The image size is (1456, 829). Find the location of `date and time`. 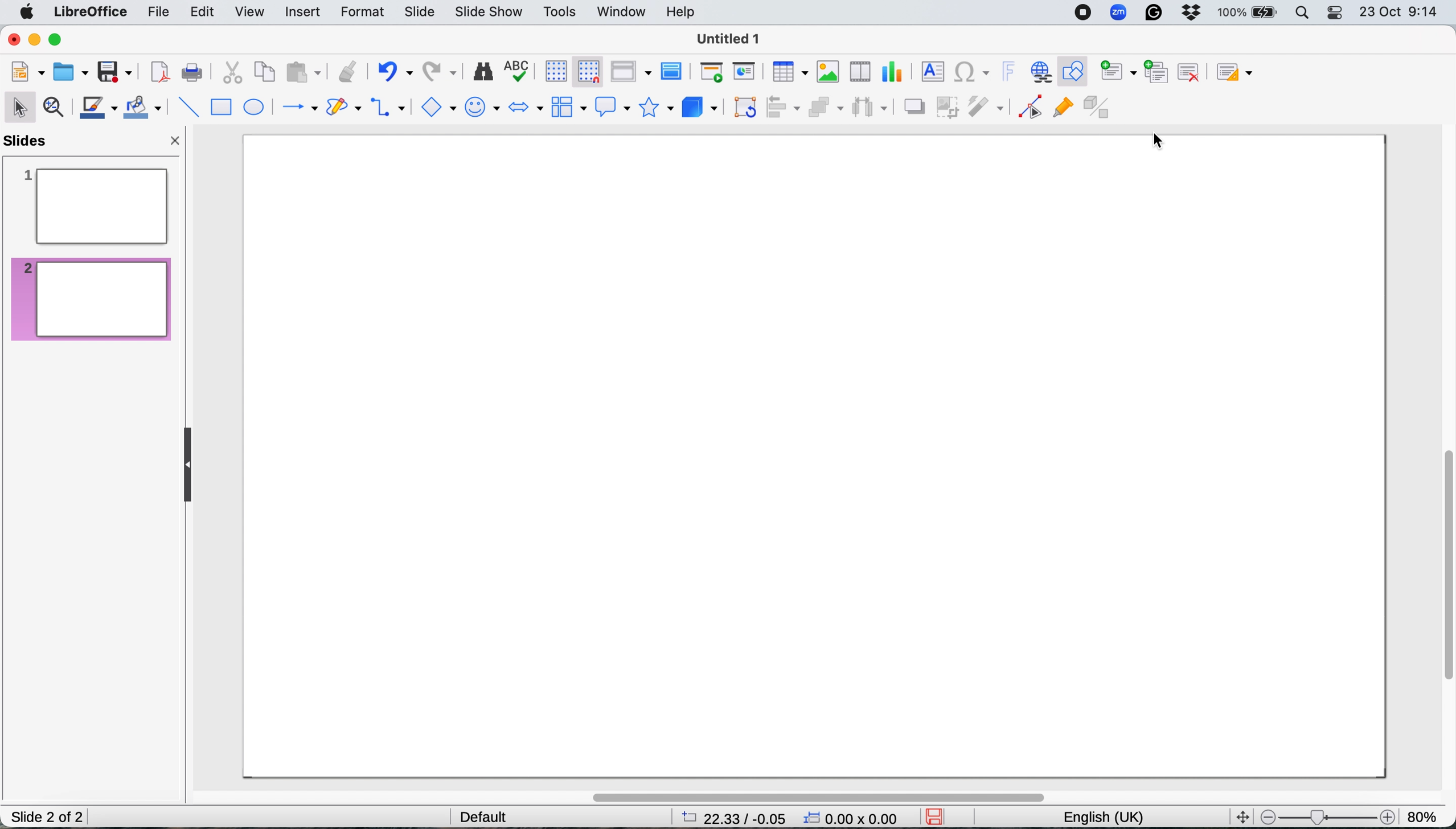

date and time is located at coordinates (1400, 14).